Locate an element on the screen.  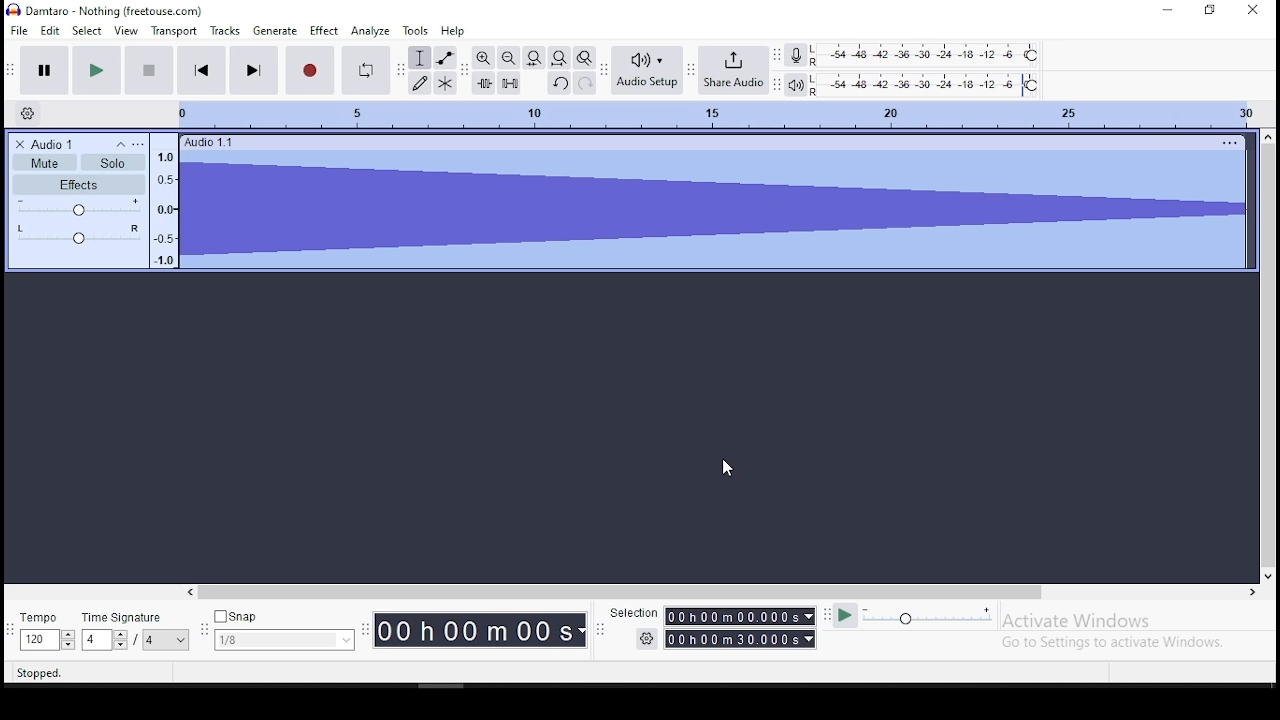
collapse is located at coordinates (121, 145).